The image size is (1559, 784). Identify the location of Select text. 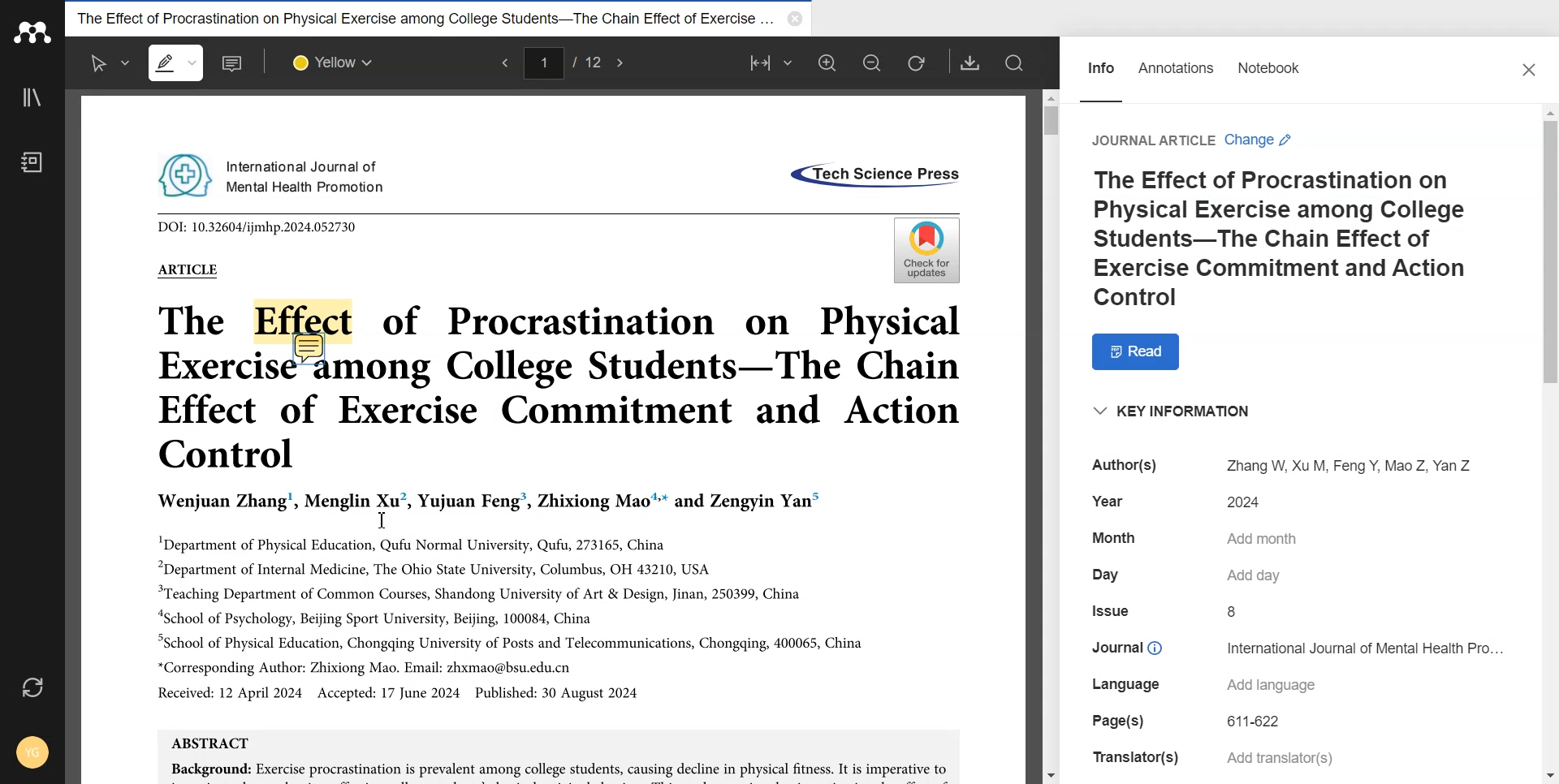
(110, 63).